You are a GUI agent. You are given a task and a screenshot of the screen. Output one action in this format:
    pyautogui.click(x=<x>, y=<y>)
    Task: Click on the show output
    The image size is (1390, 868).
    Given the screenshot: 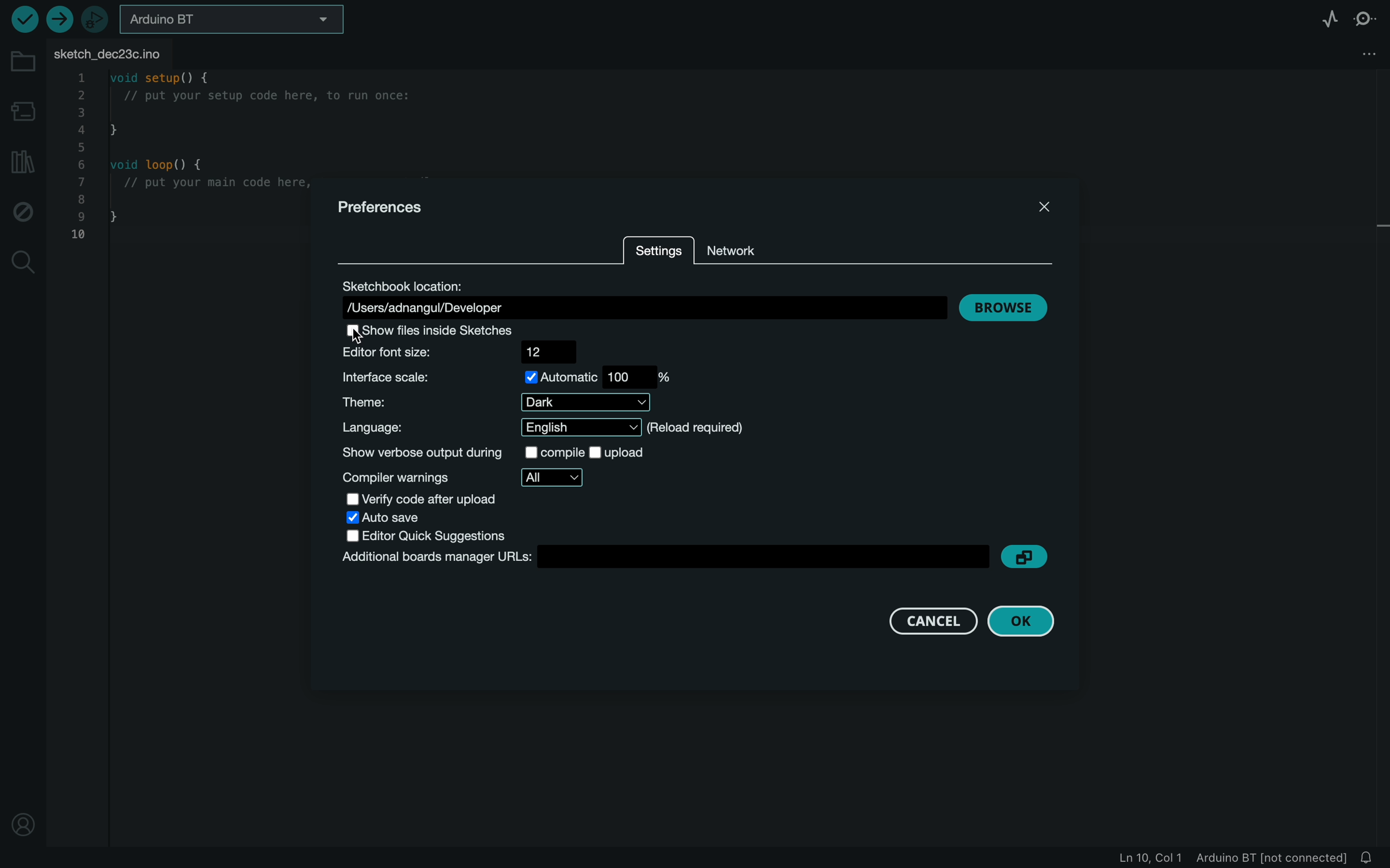 What is the action you would take?
    pyautogui.click(x=506, y=454)
    